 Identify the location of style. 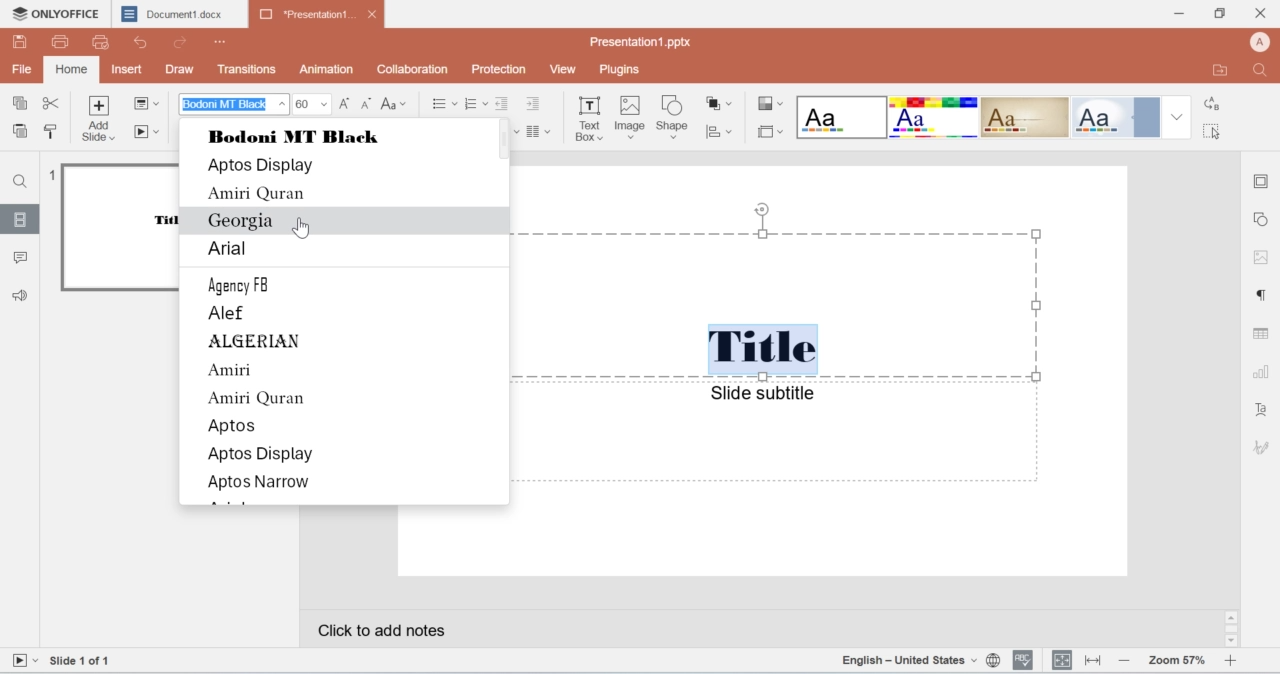
(770, 105).